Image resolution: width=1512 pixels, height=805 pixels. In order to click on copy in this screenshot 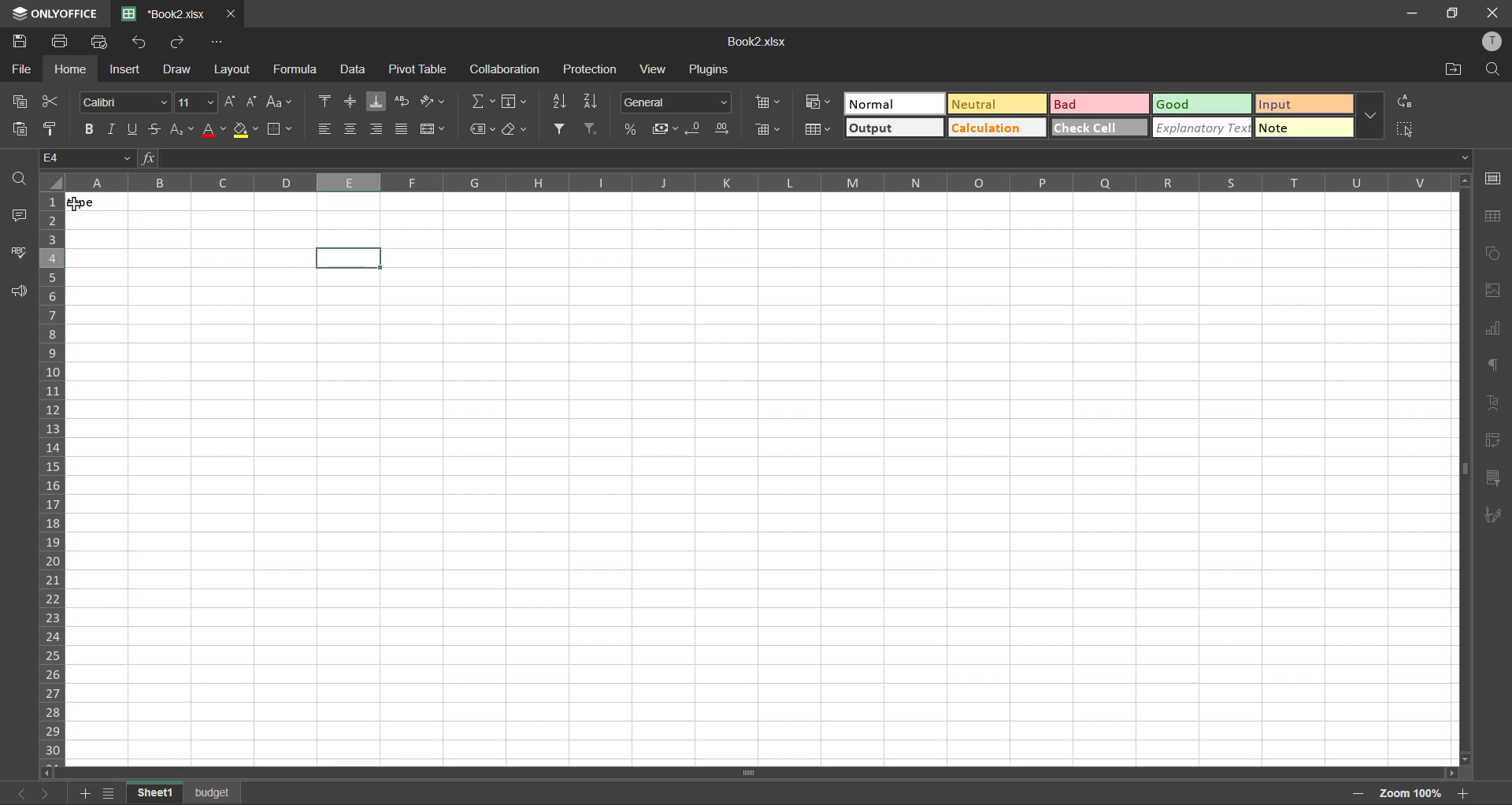, I will do `click(18, 101)`.